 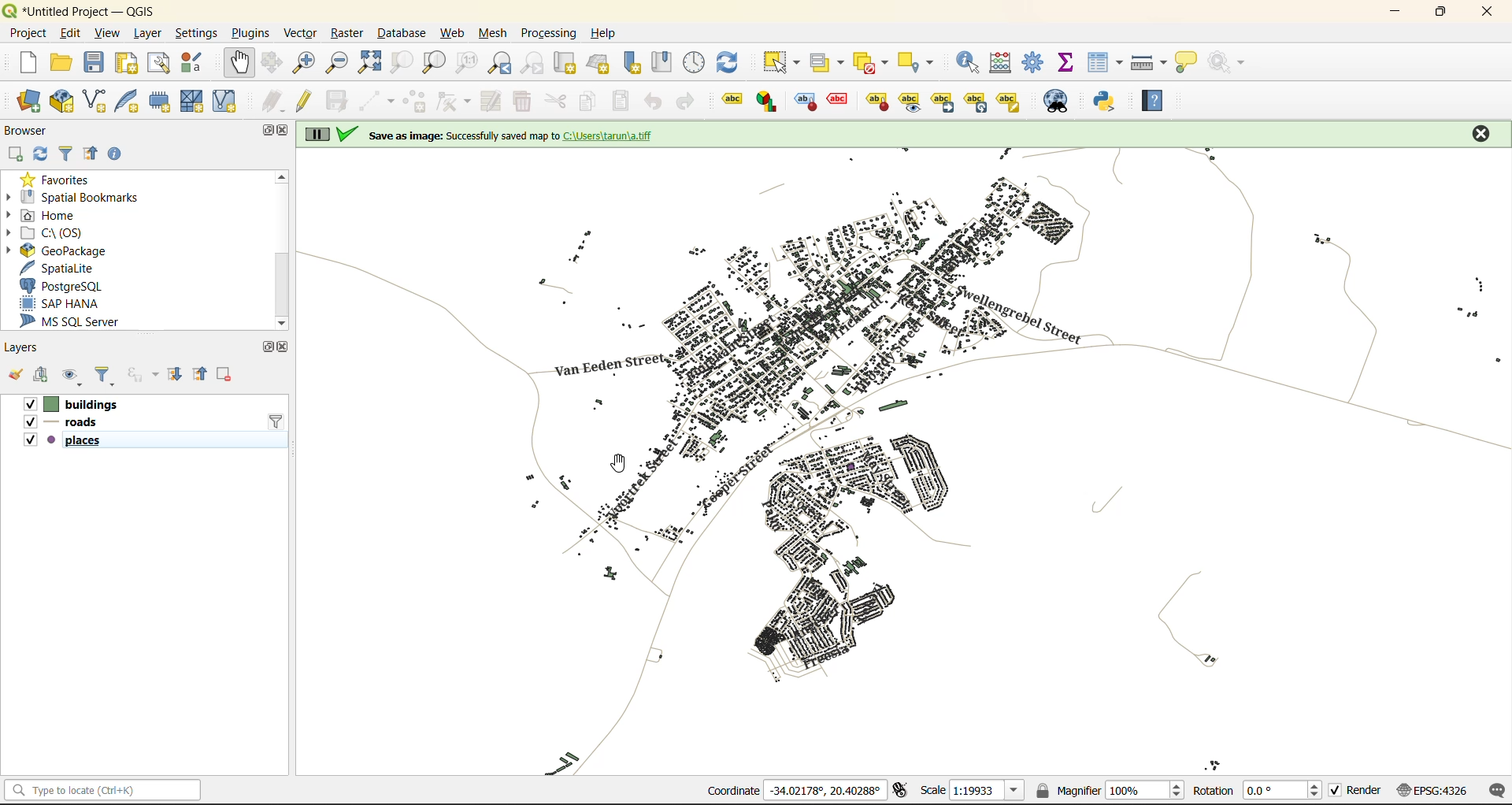 I want to click on Move a label, diagrams or callout , so click(x=910, y=101).